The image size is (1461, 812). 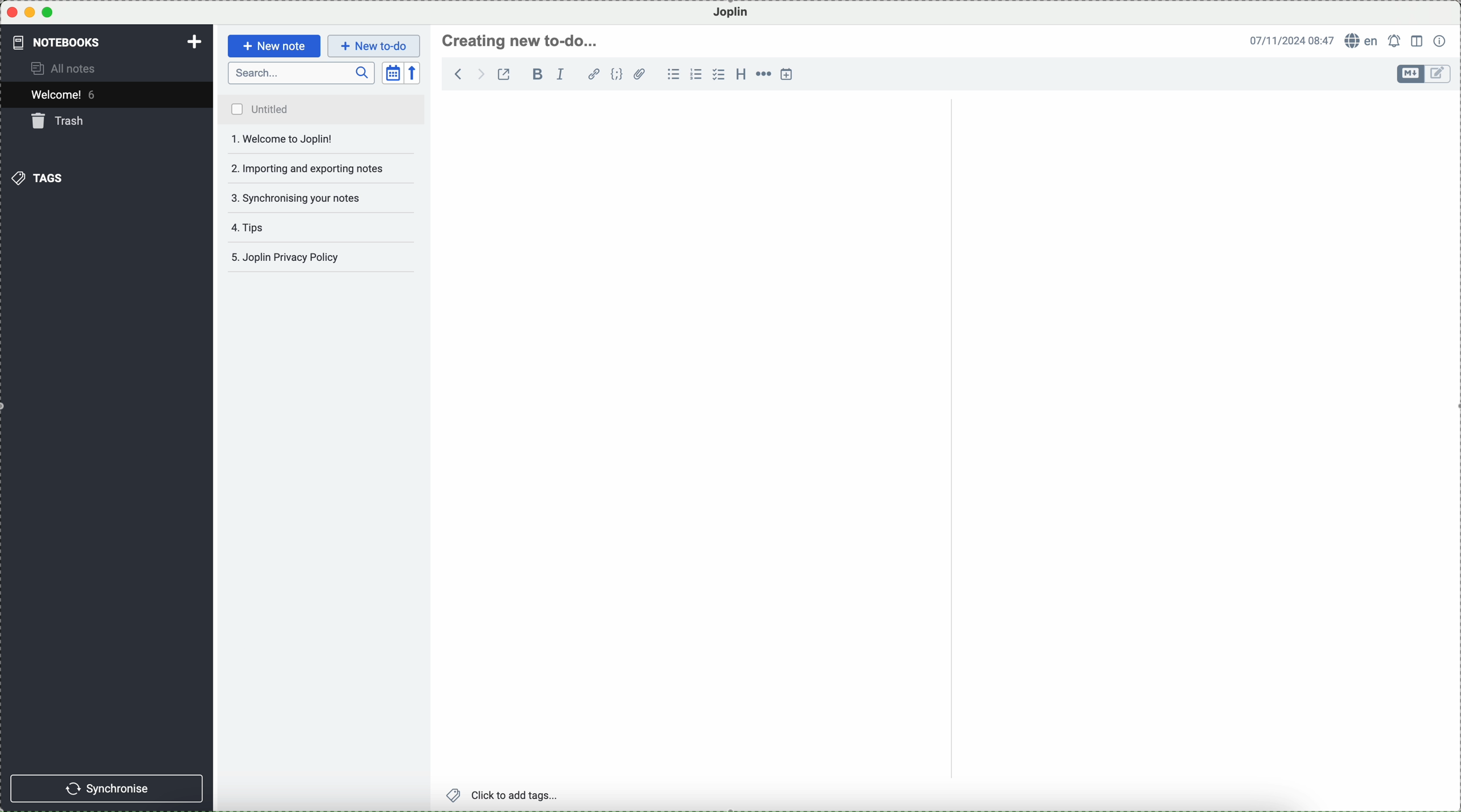 What do you see at coordinates (763, 74) in the screenshot?
I see `horizontal rule` at bounding box center [763, 74].